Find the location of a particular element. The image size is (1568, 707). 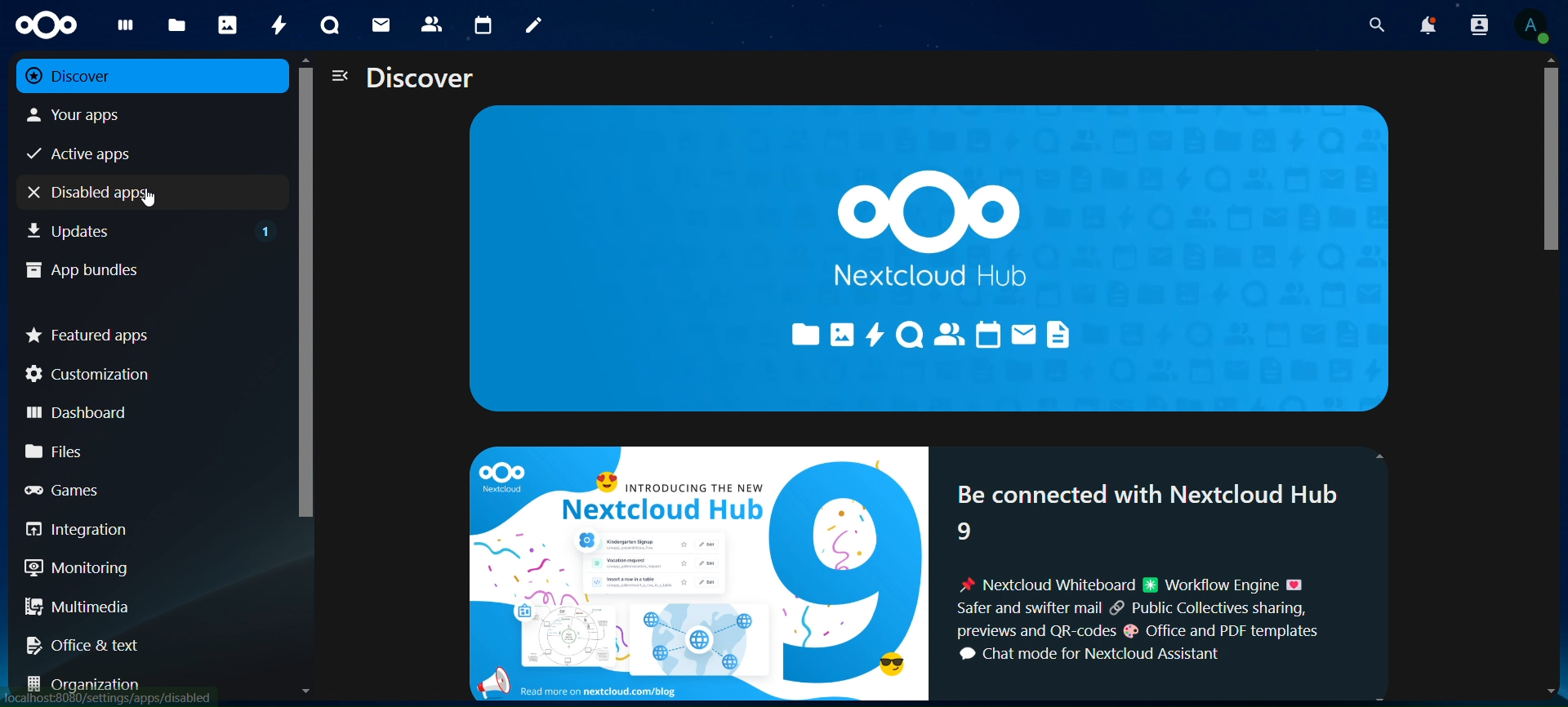

integration is located at coordinates (140, 530).